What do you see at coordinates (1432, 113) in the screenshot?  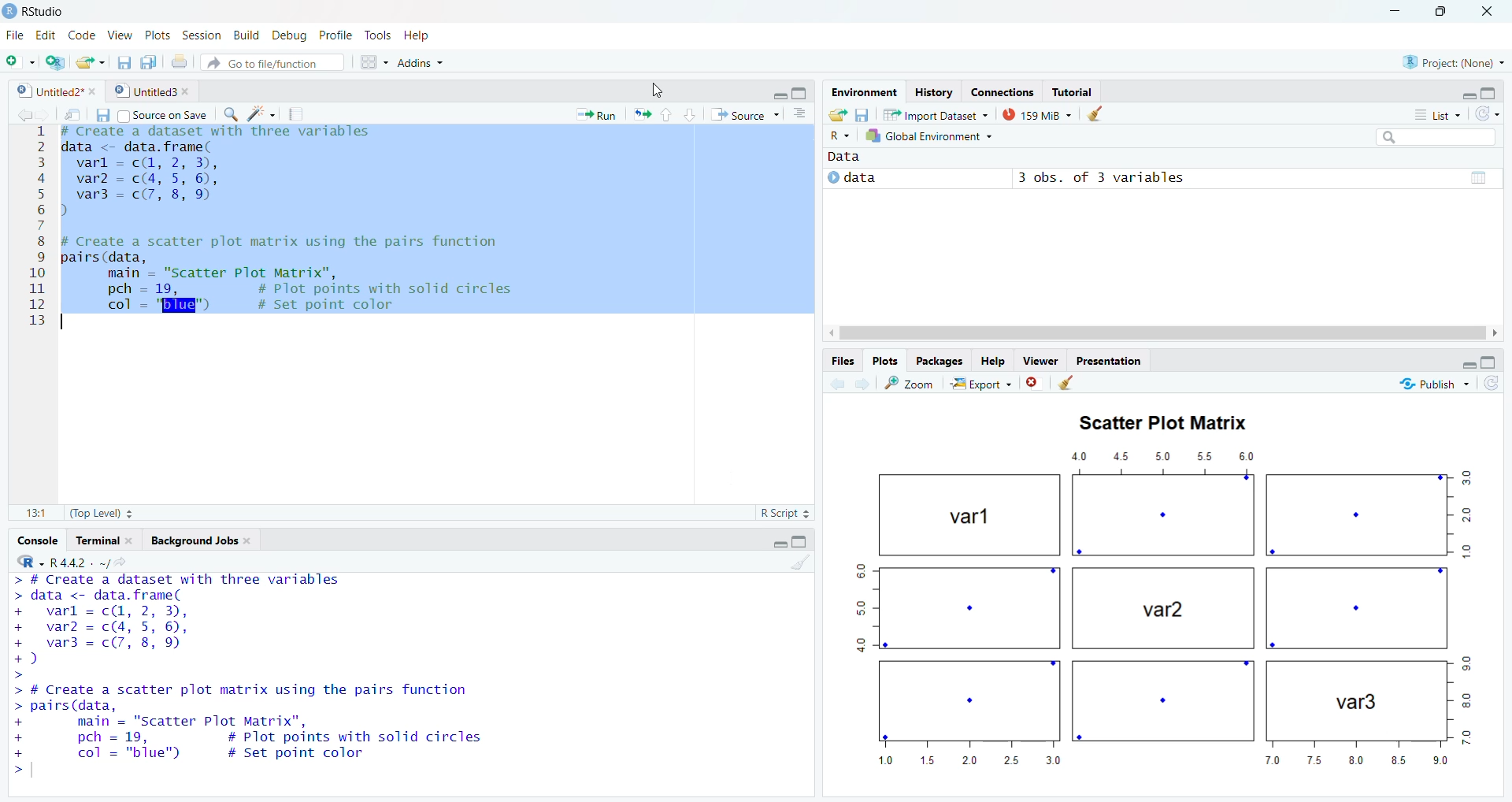 I see `List ` at bounding box center [1432, 113].